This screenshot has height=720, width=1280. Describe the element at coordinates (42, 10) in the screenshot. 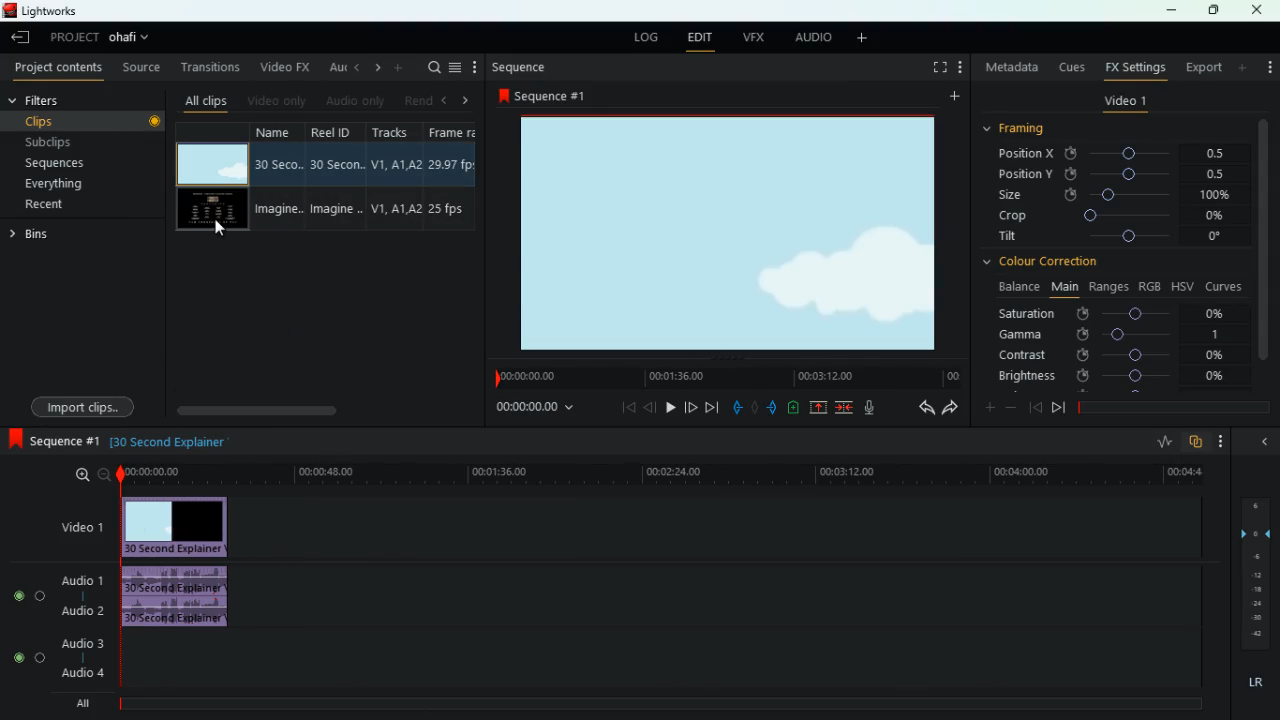

I see `lightworks` at that location.